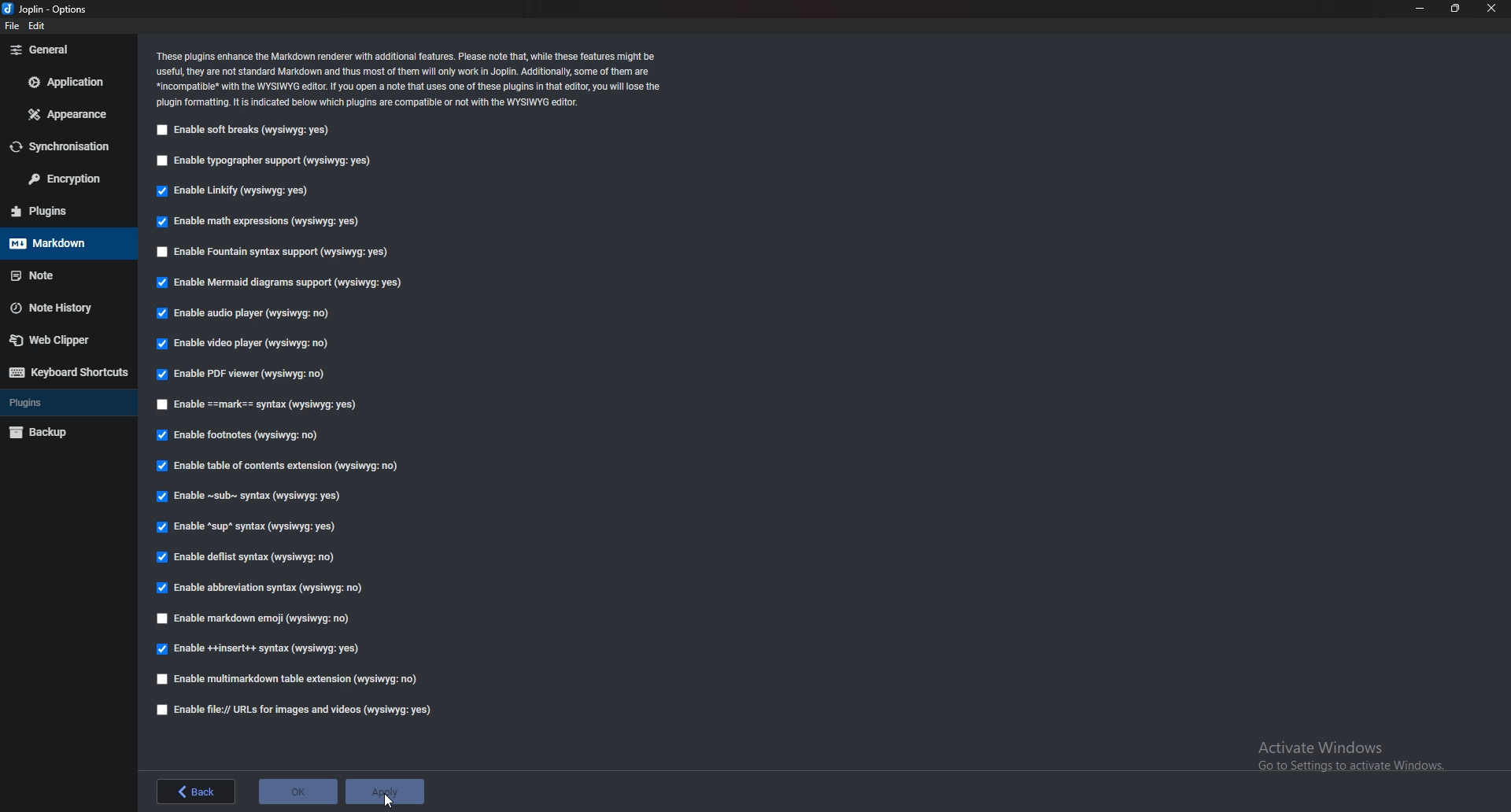 The width and height of the screenshot is (1511, 812). Describe the element at coordinates (244, 557) in the screenshot. I see `enable deflist syntax` at that location.